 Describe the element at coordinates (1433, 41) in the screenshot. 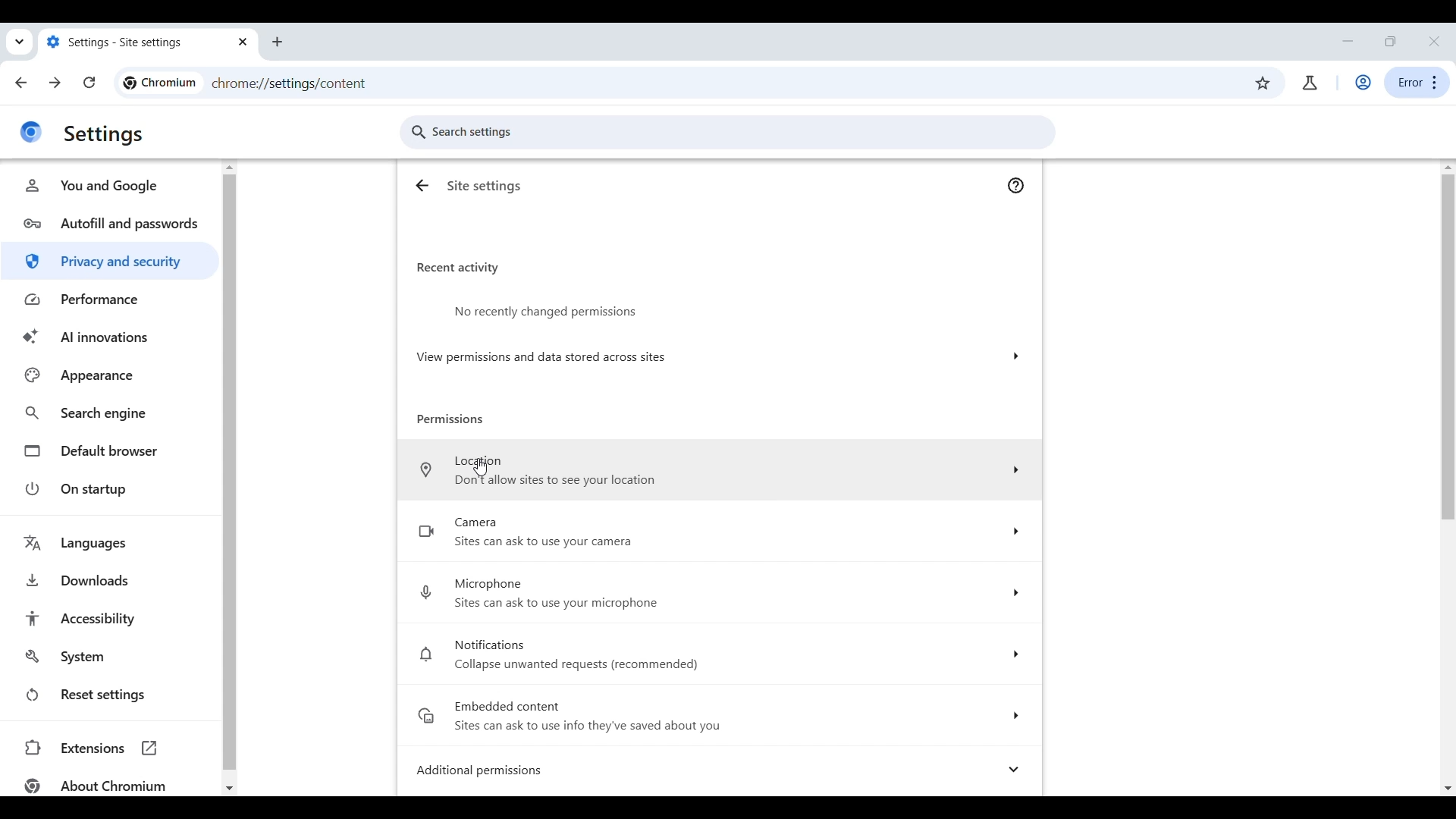

I see `Close ` at that location.